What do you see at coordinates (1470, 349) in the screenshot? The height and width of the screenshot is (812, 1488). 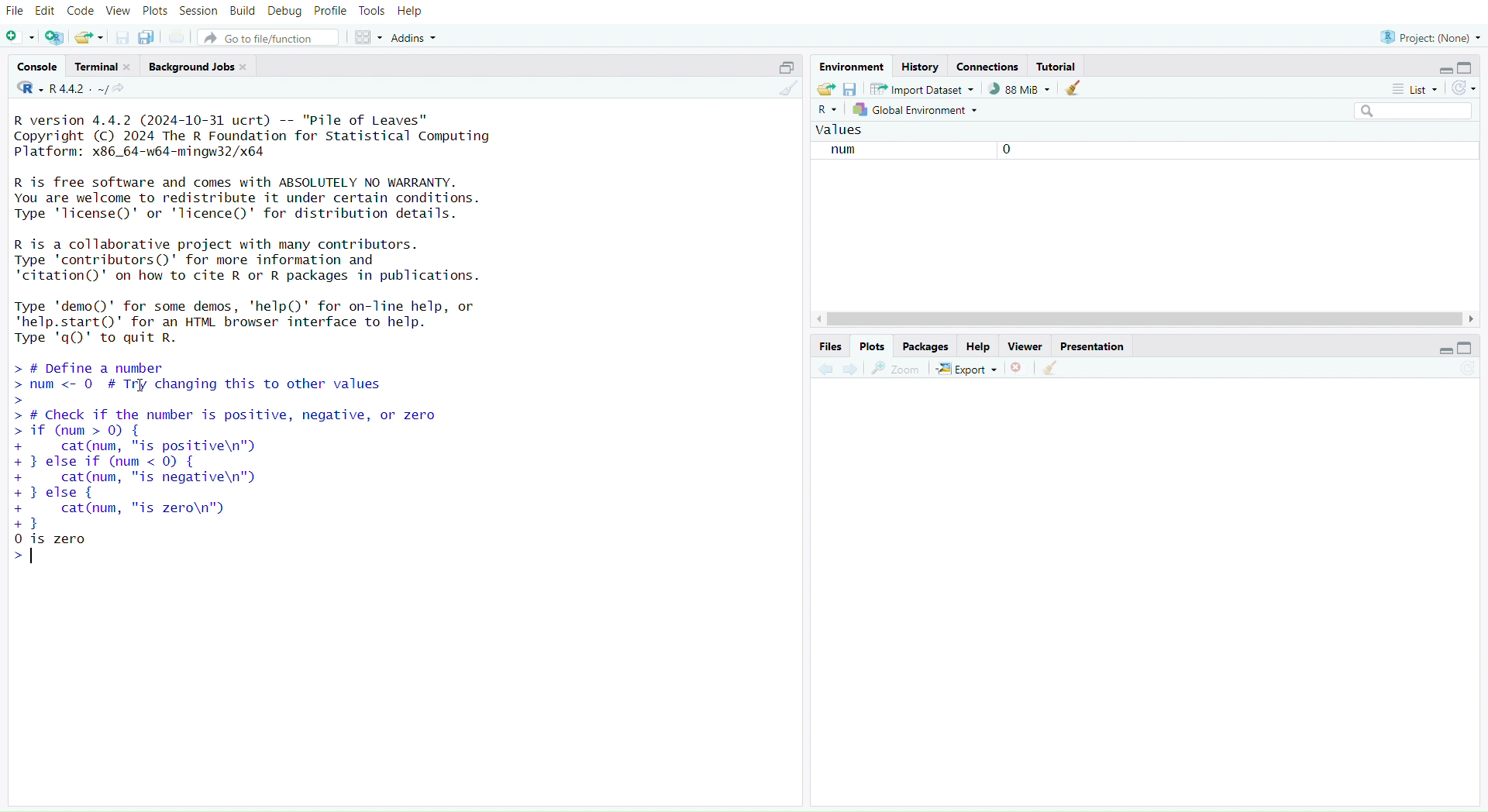 I see `collapse` at bounding box center [1470, 349].